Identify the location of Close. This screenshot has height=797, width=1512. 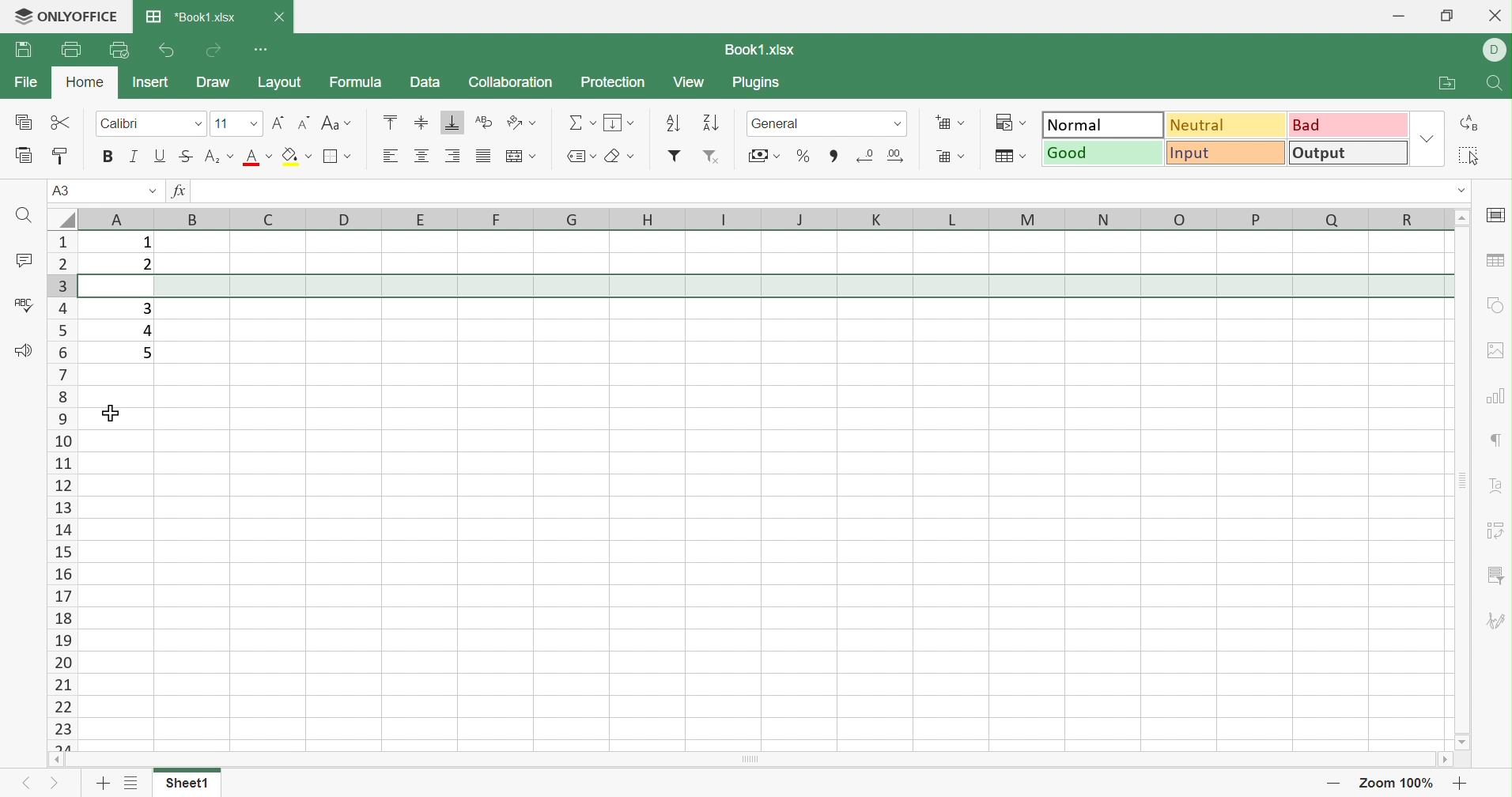
(1494, 15).